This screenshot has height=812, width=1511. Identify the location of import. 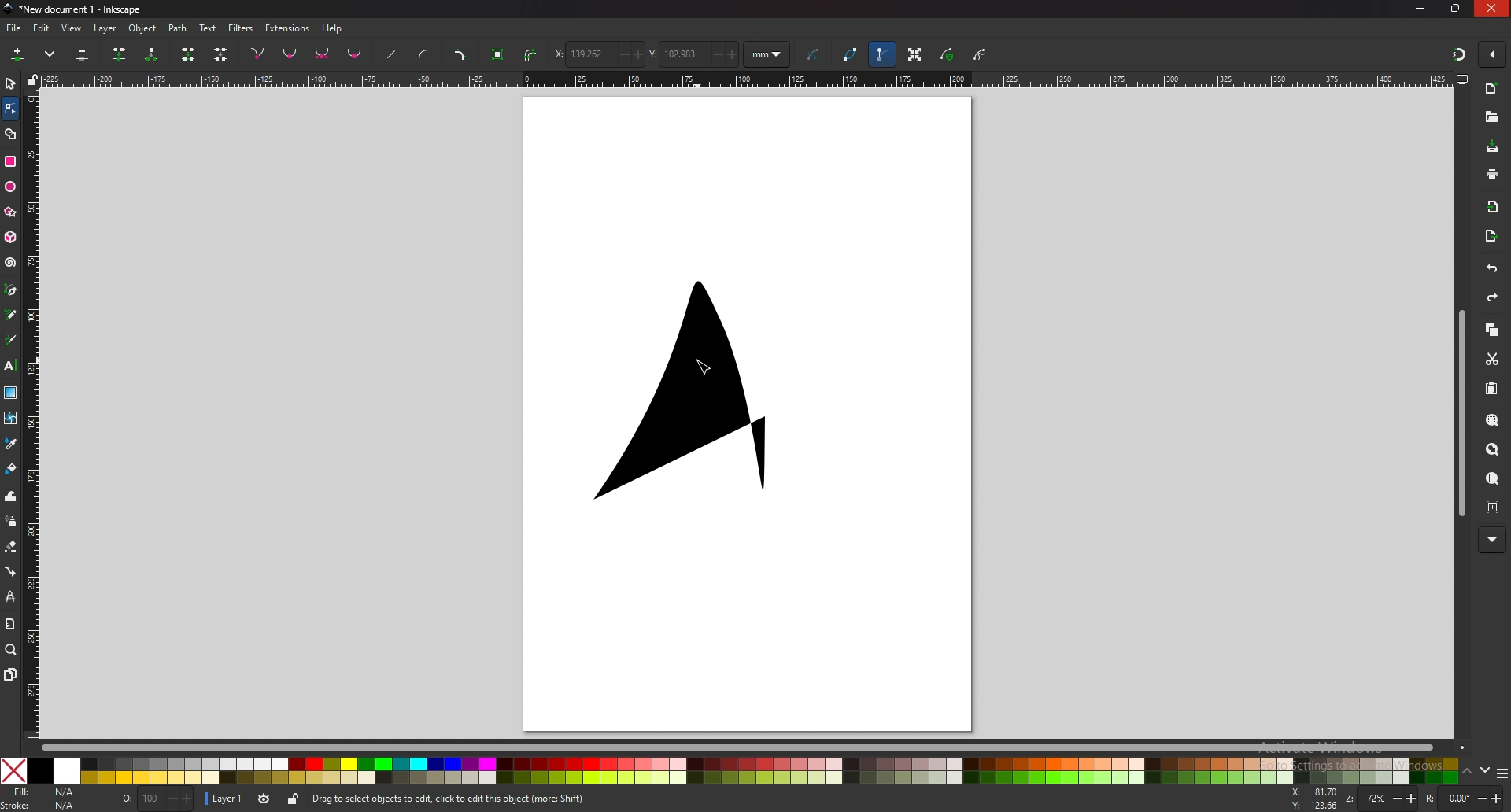
(1494, 209).